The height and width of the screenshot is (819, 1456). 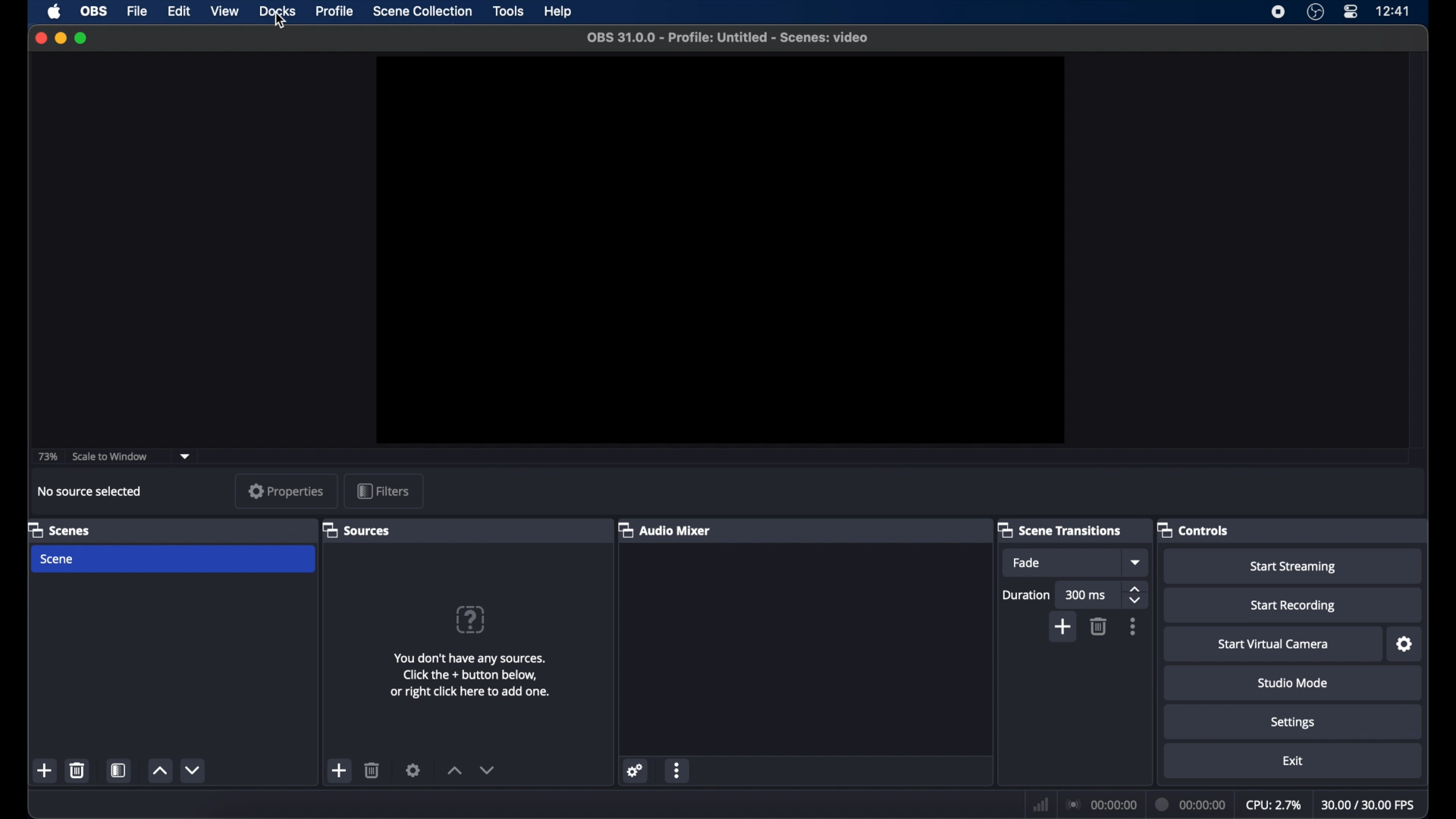 What do you see at coordinates (634, 770) in the screenshot?
I see `settings` at bounding box center [634, 770].